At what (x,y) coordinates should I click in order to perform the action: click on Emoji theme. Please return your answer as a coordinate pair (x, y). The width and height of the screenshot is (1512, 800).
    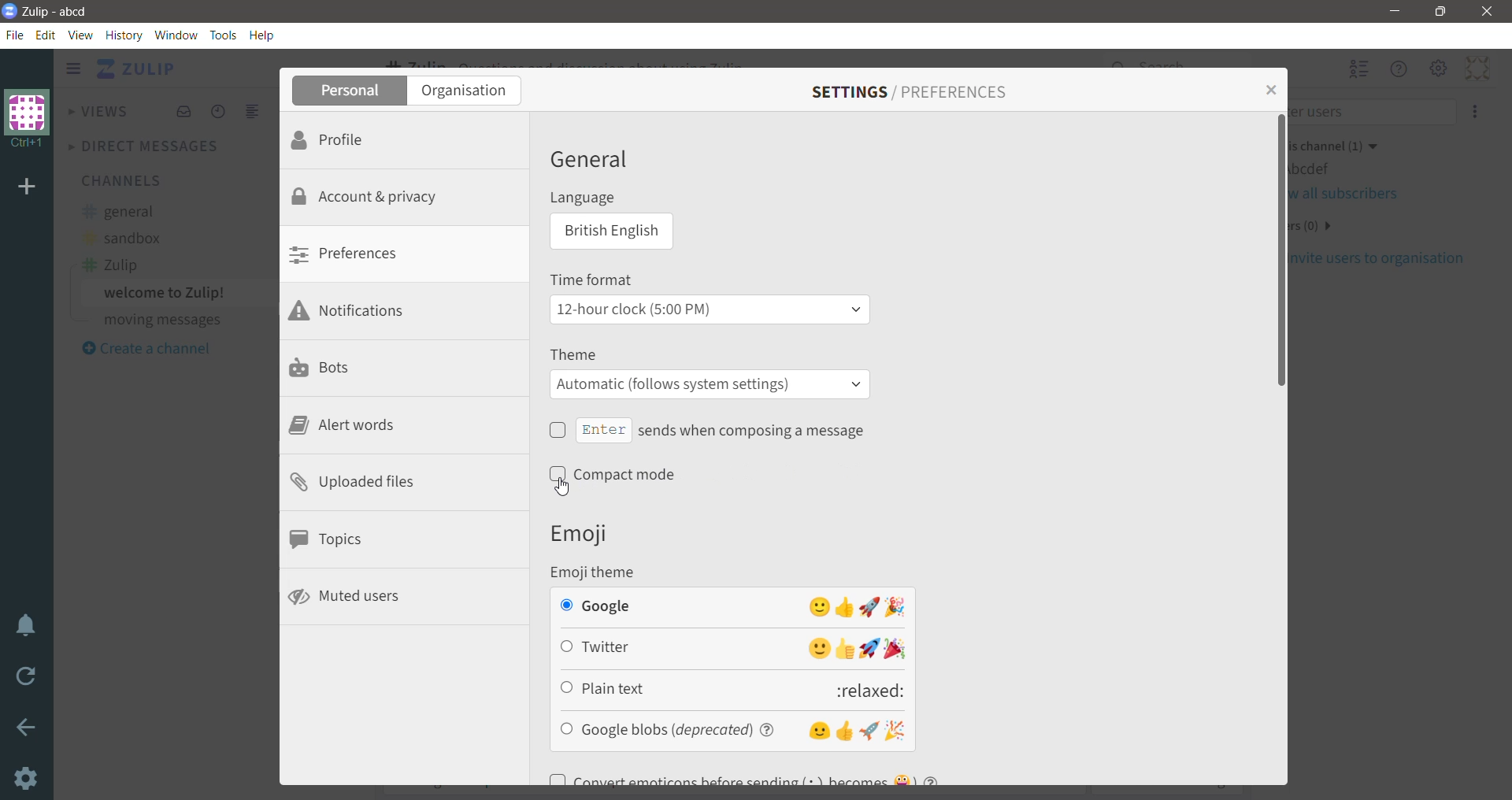
    Looking at the image, I should click on (603, 572).